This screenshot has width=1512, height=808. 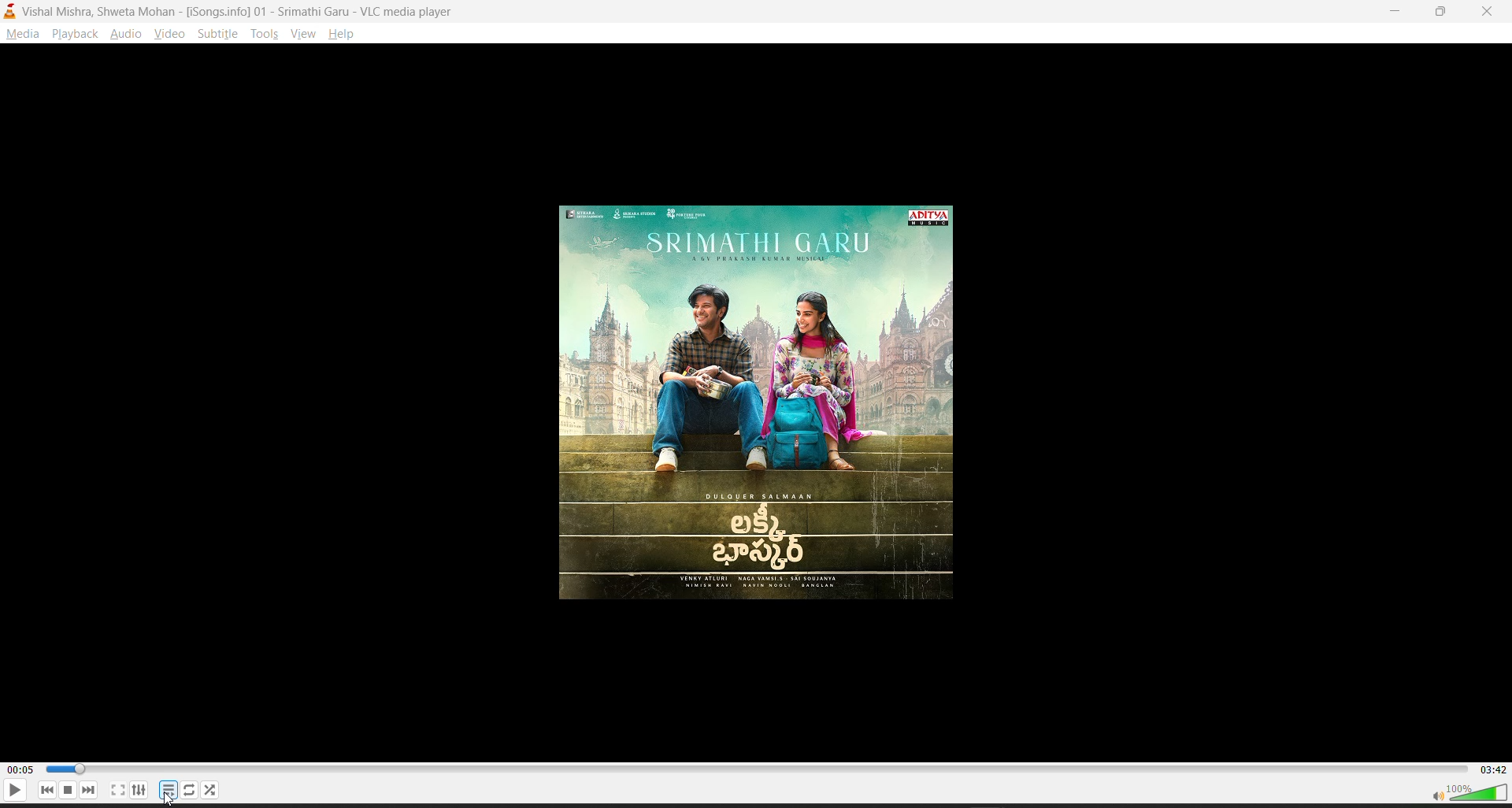 What do you see at coordinates (217, 34) in the screenshot?
I see `subtitle` at bounding box center [217, 34].